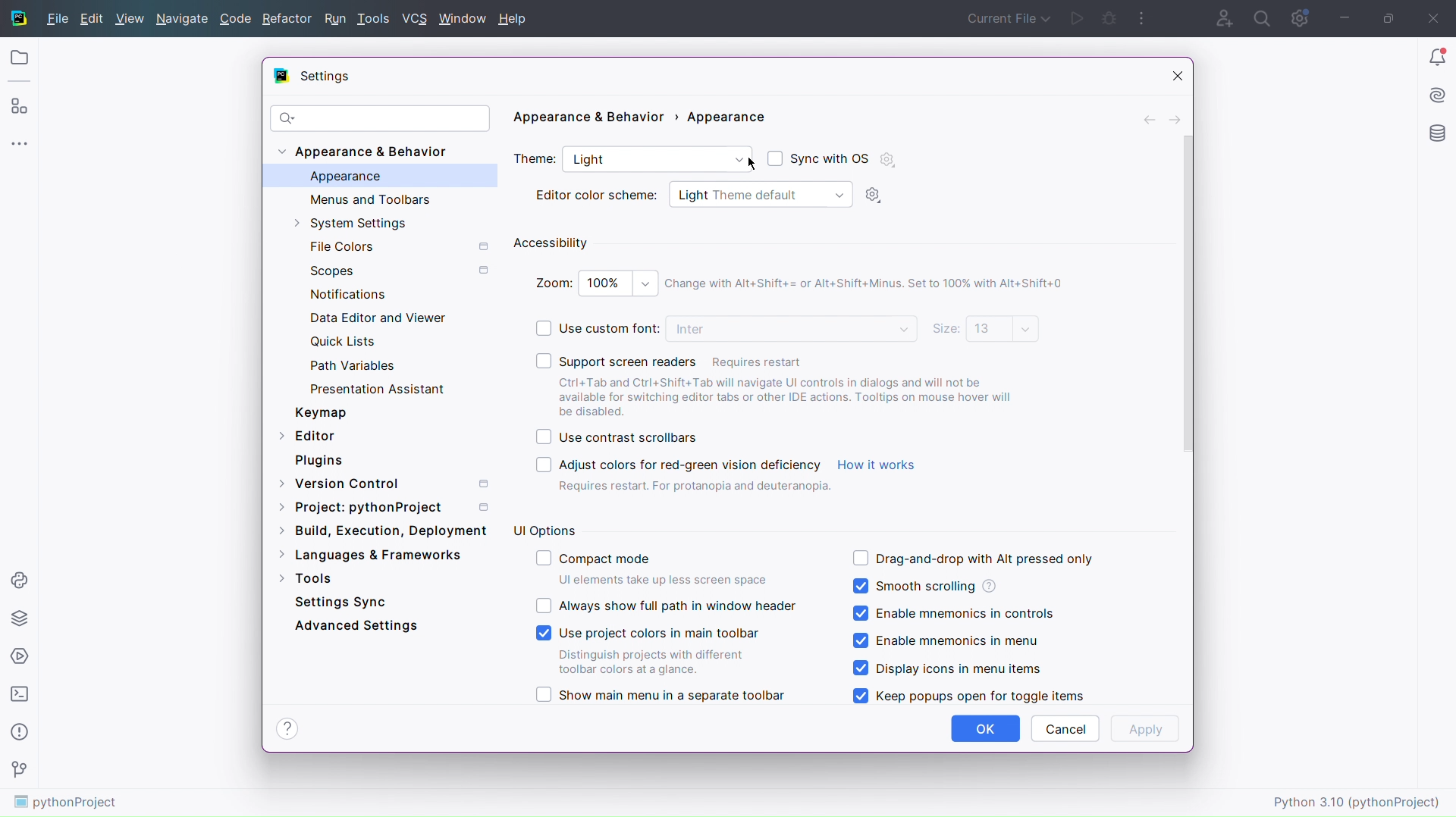  I want to click on Terminal, so click(19, 694).